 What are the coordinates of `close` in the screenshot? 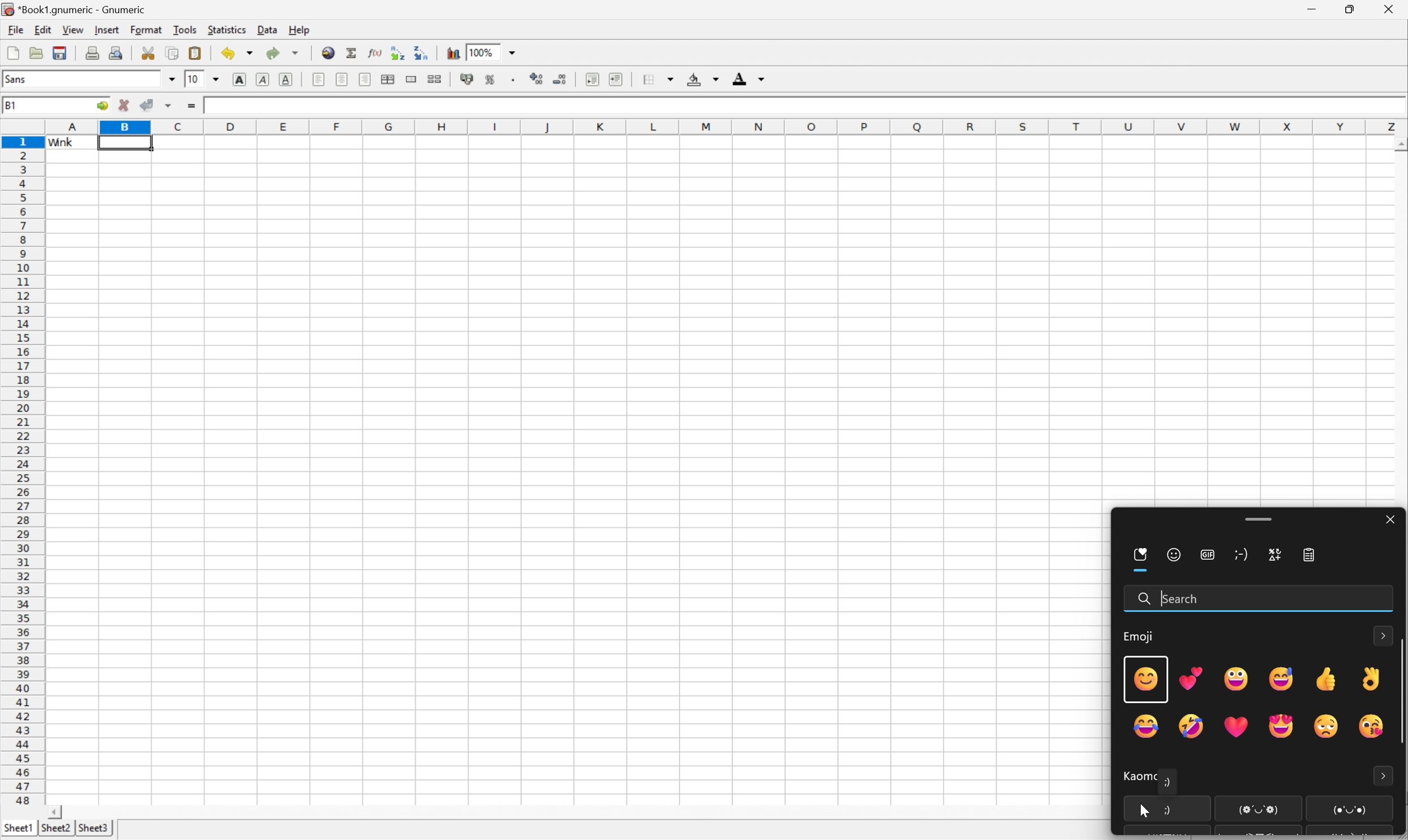 It's located at (1389, 11).